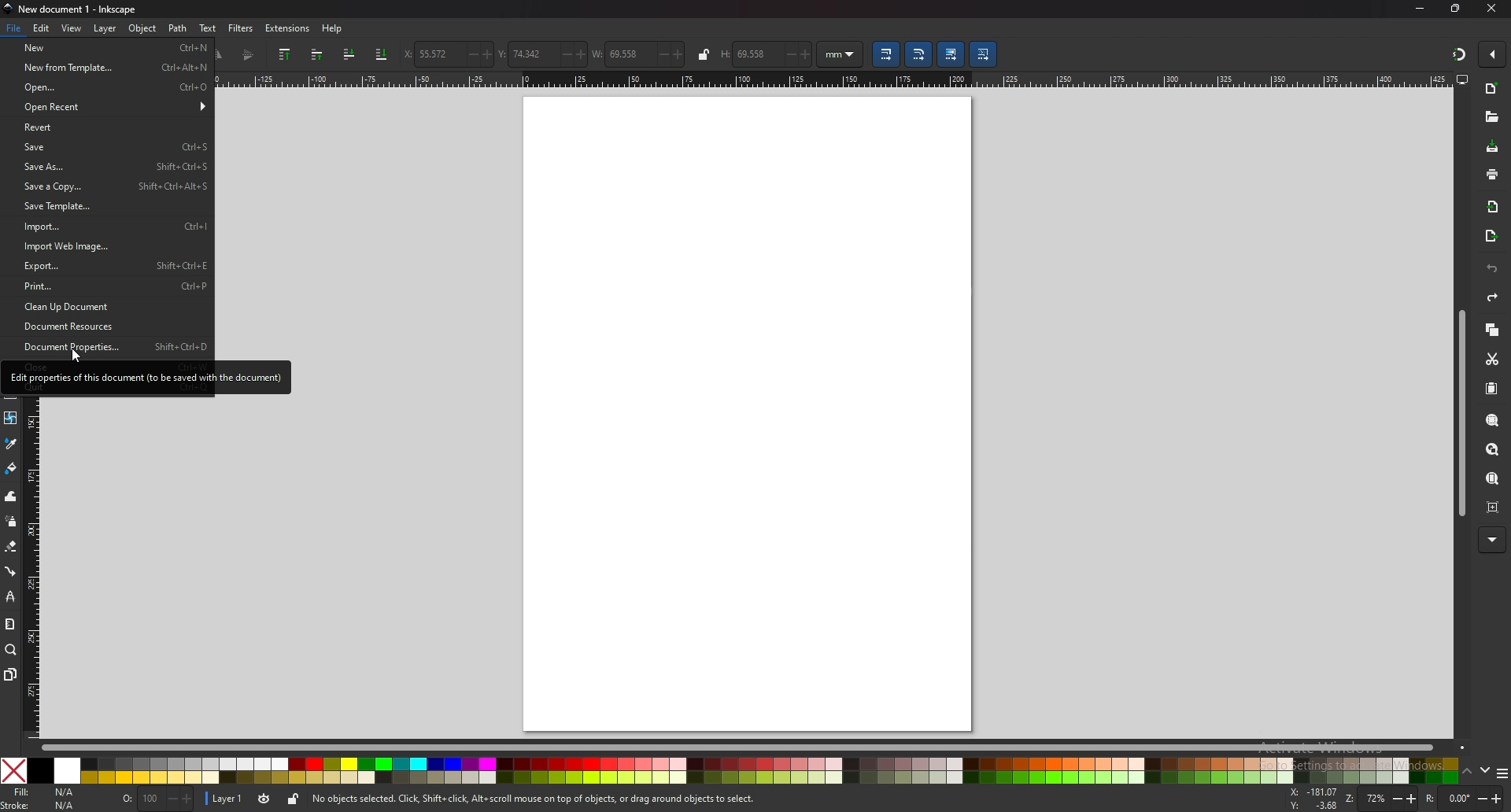 The height and width of the screenshot is (812, 1511). Describe the element at coordinates (1410, 799) in the screenshot. I see `+` at that location.